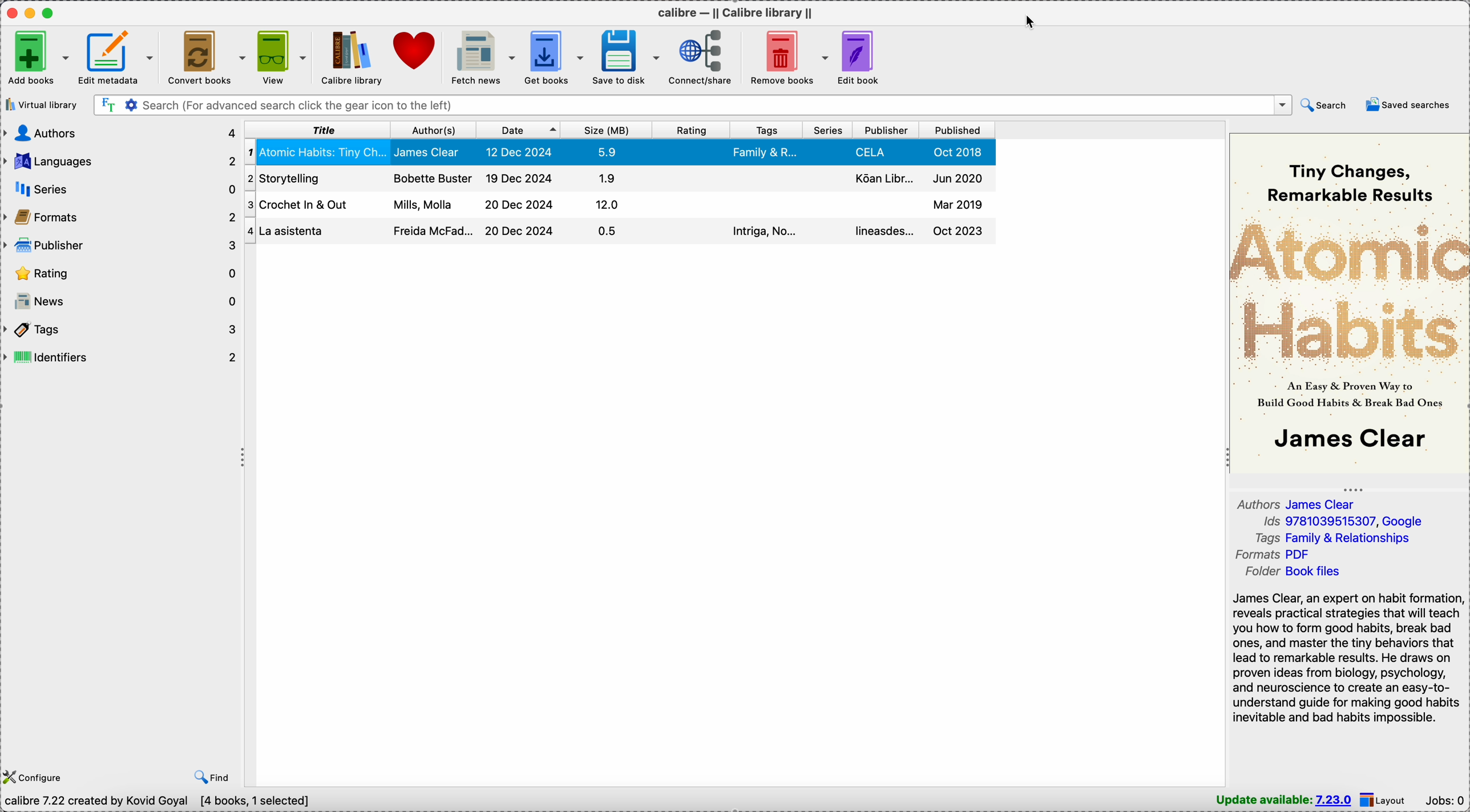 This screenshot has height=812, width=1470. Describe the element at coordinates (11, 12) in the screenshot. I see `close Calibre` at that location.